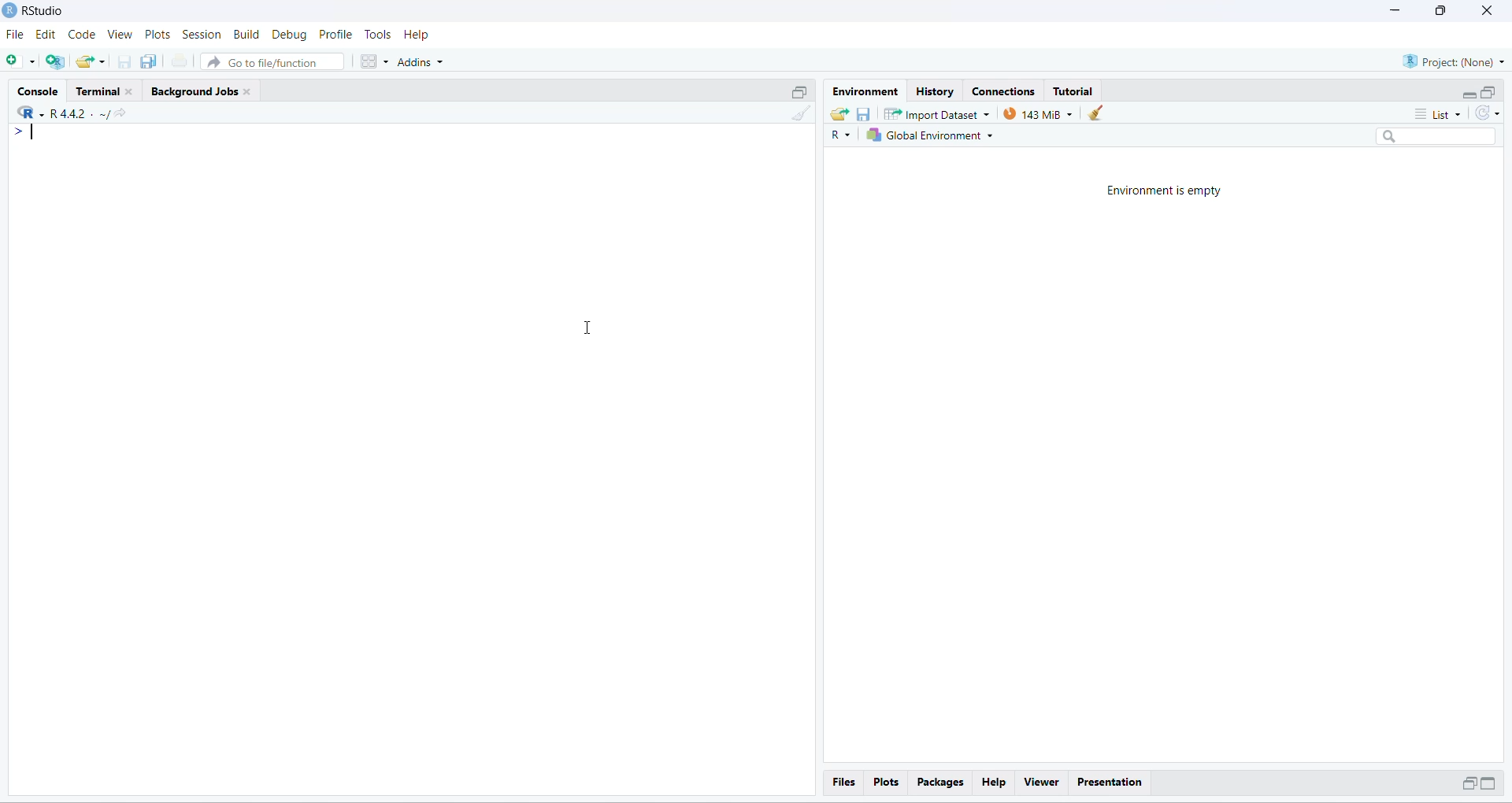  What do you see at coordinates (846, 782) in the screenshot?
I see `files` at bounding box center [846, 782].